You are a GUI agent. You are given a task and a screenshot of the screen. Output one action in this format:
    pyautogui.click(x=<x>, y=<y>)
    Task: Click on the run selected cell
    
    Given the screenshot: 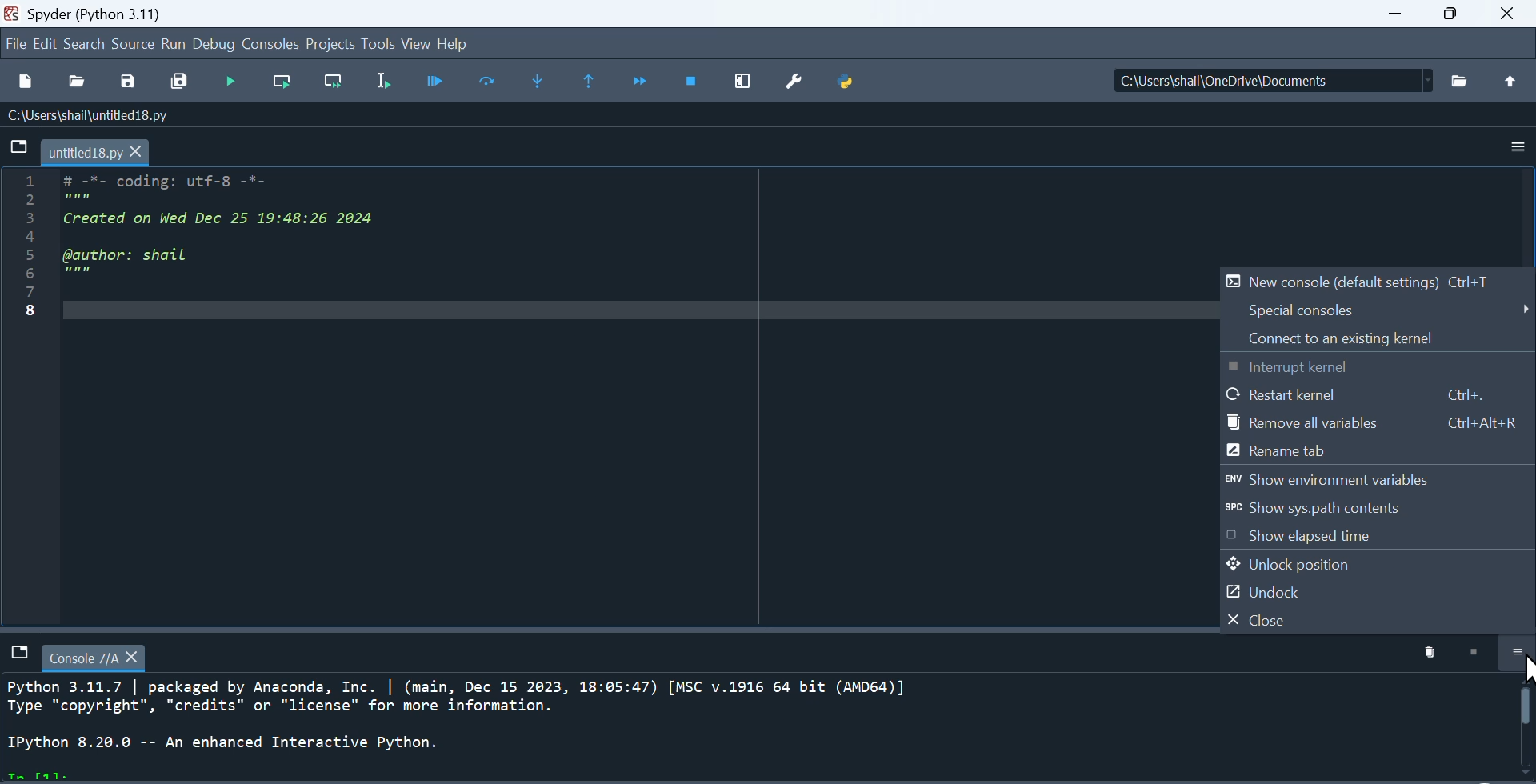 What is the action you would take?
    pyautogui.click(x=381, y=82)
    